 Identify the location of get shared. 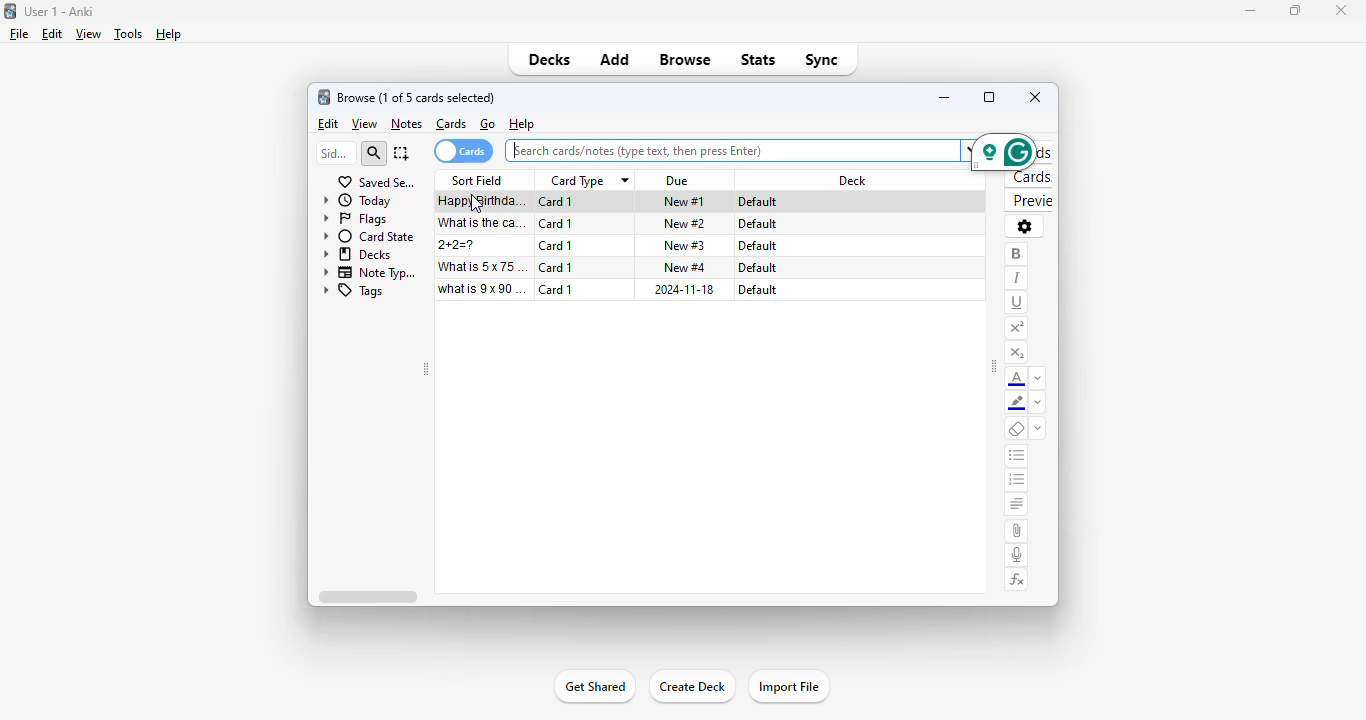
(596, 686).